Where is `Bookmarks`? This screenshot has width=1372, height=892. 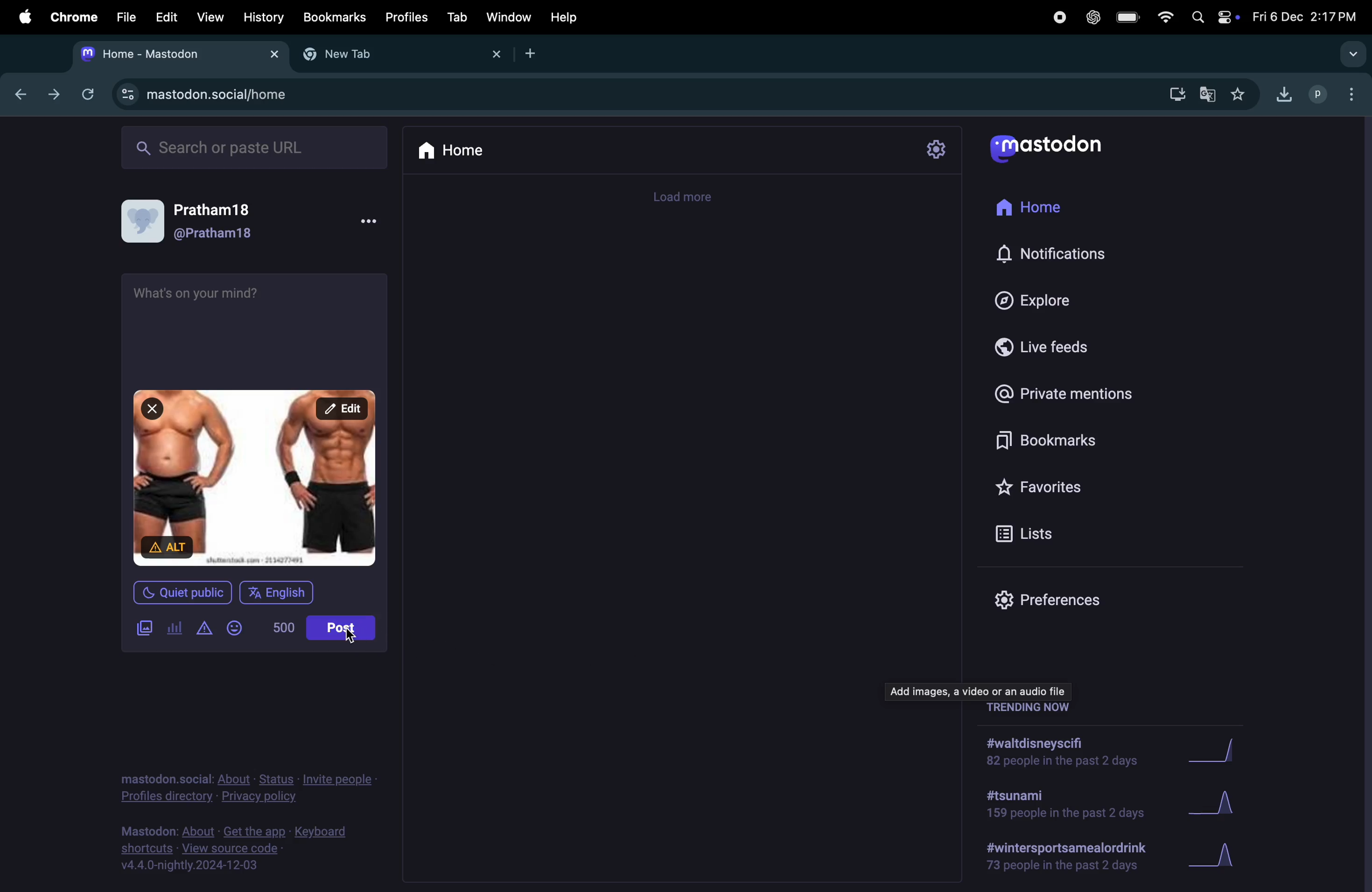 Bookmarks is located at coordinates (1042, 442).